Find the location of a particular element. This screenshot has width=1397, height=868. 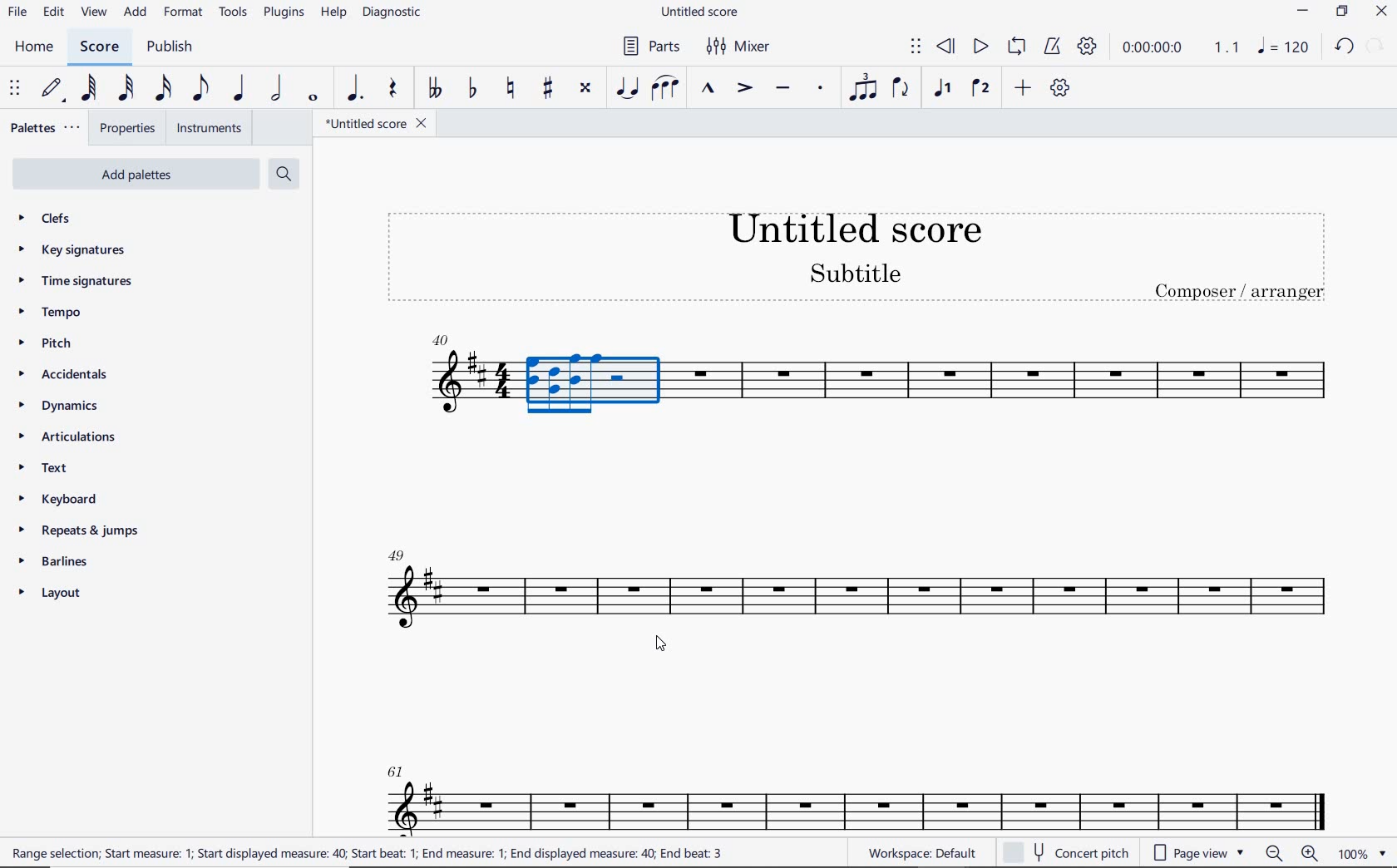

INSTRUMENT: TENOR SAXOPHONE is located at coordinates (856, 594).